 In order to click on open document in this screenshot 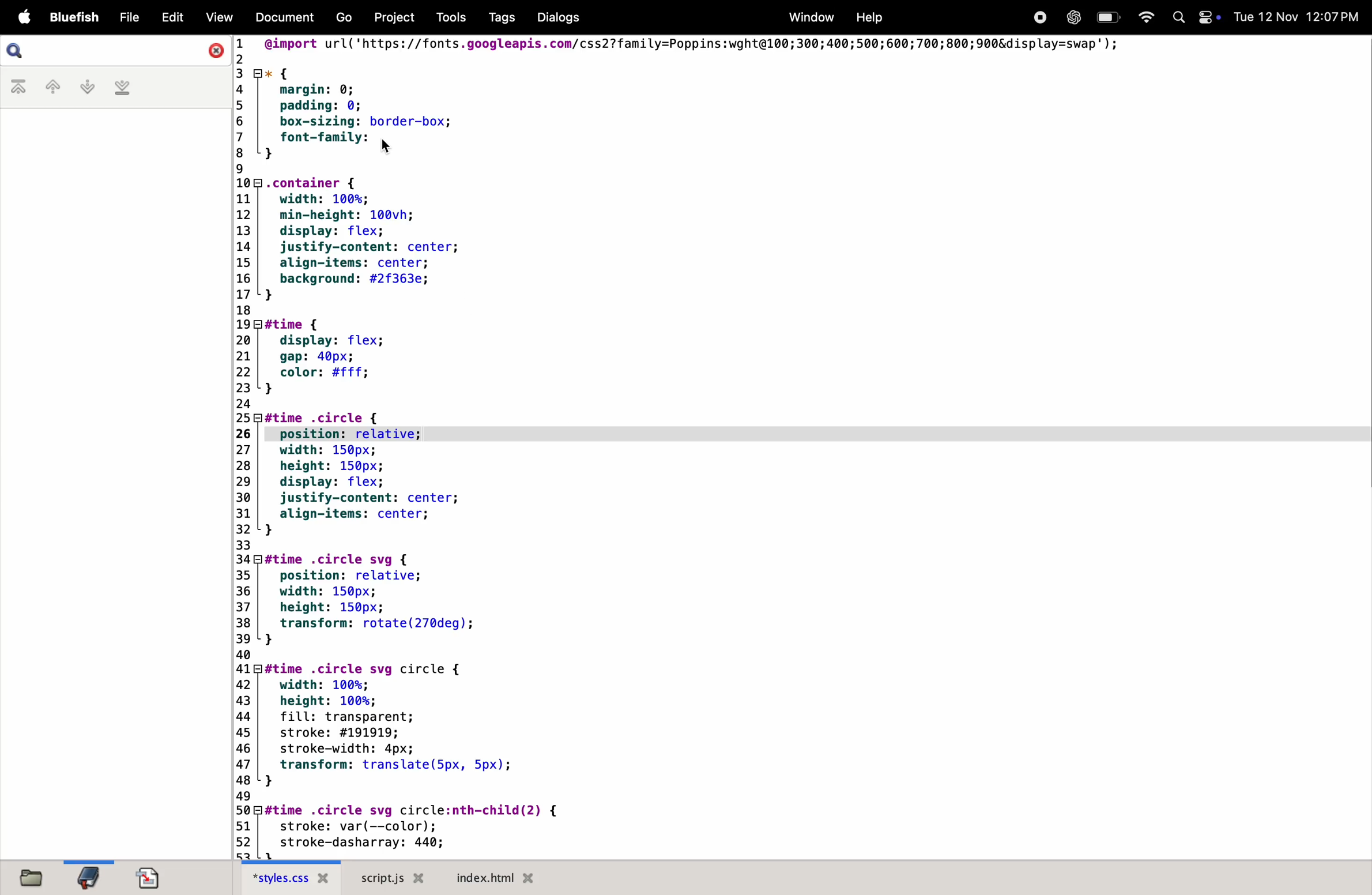, I will do `click(149, 875)`.